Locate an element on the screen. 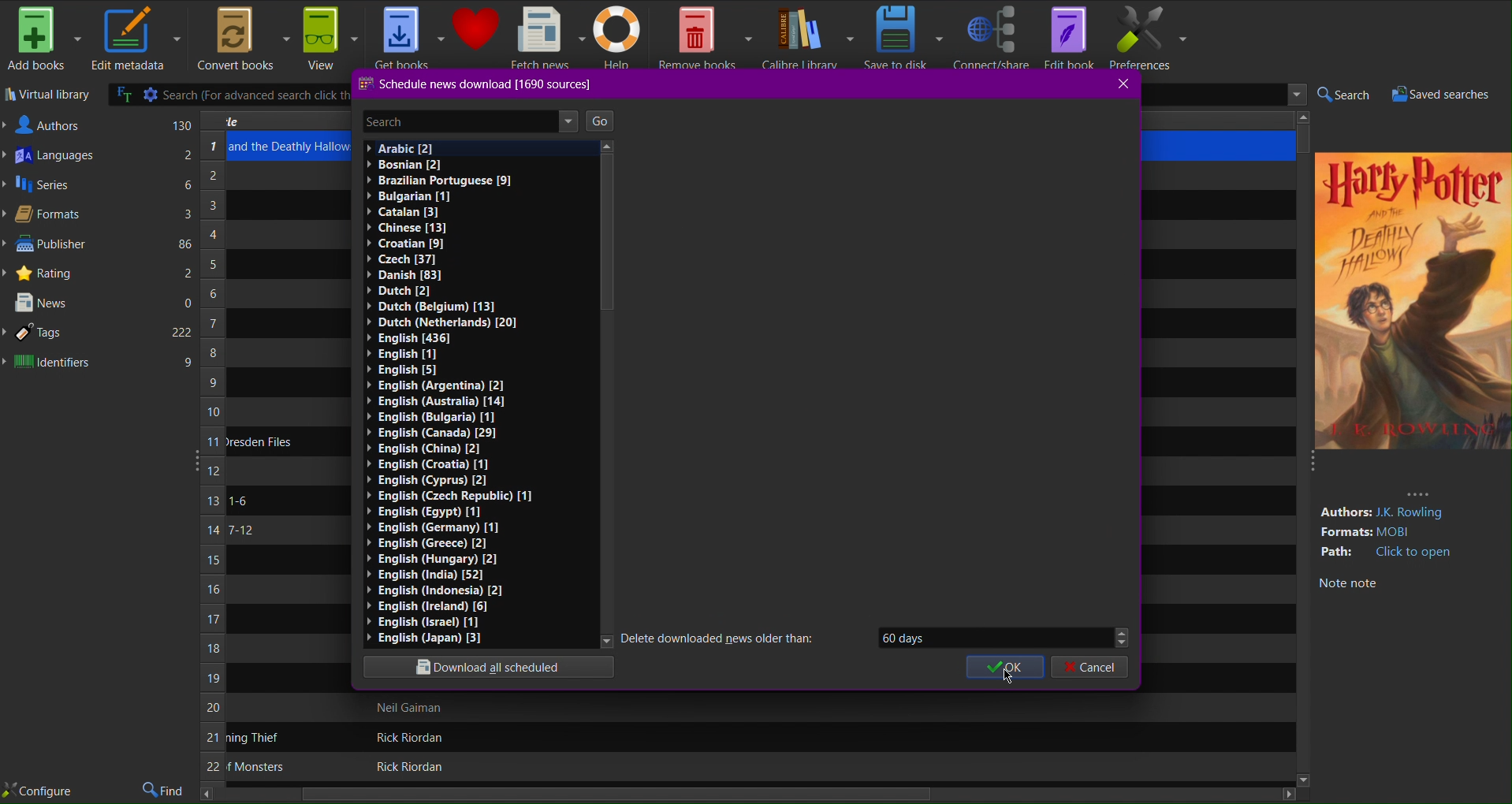 This screenshot has height=804, width=1512. and the Deathly Hallows is located at coordinates (290, 147).